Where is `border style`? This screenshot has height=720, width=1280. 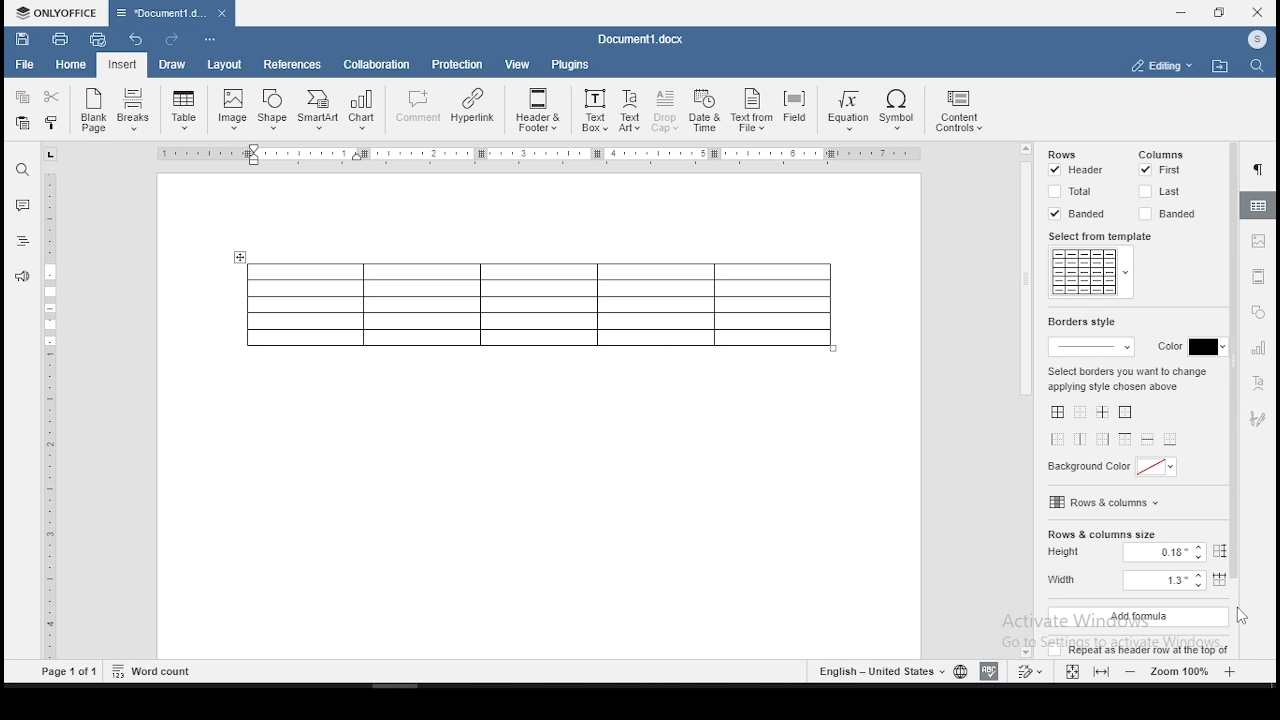 border style is located at coordinates (1081, 321).